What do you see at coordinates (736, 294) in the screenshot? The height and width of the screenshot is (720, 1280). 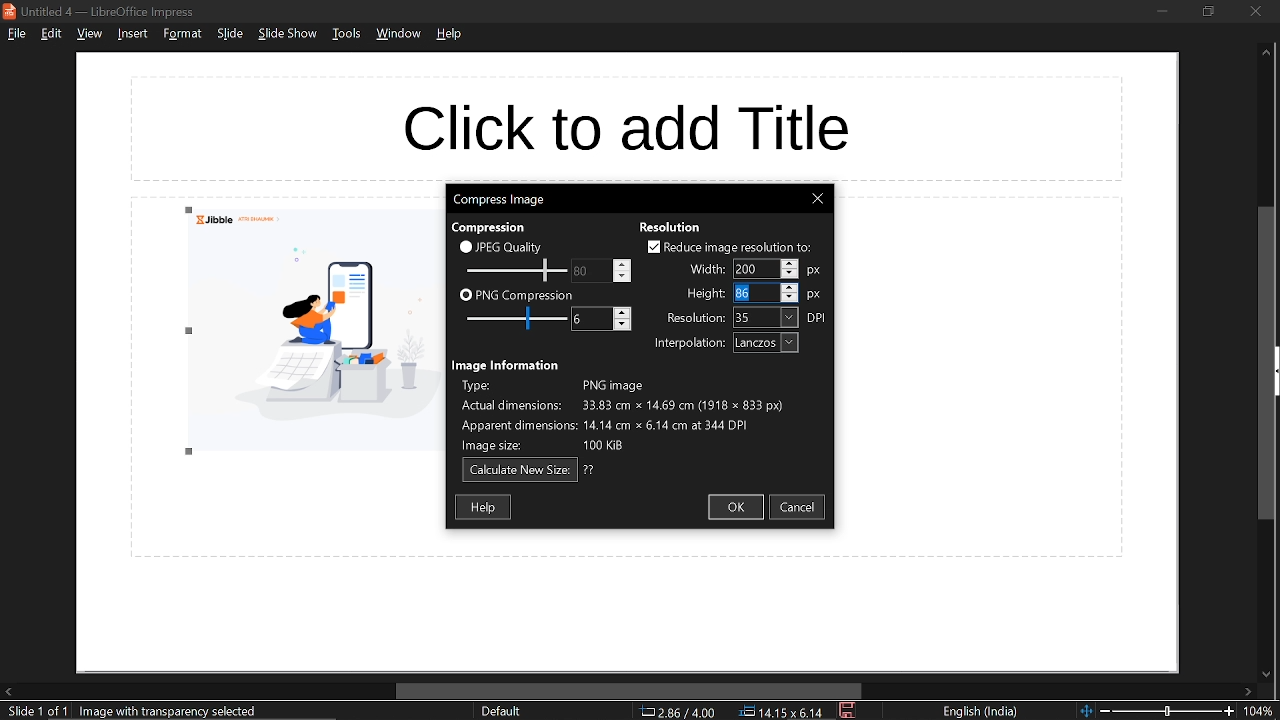 I see `Cursor` at bounding box center [736, 294].